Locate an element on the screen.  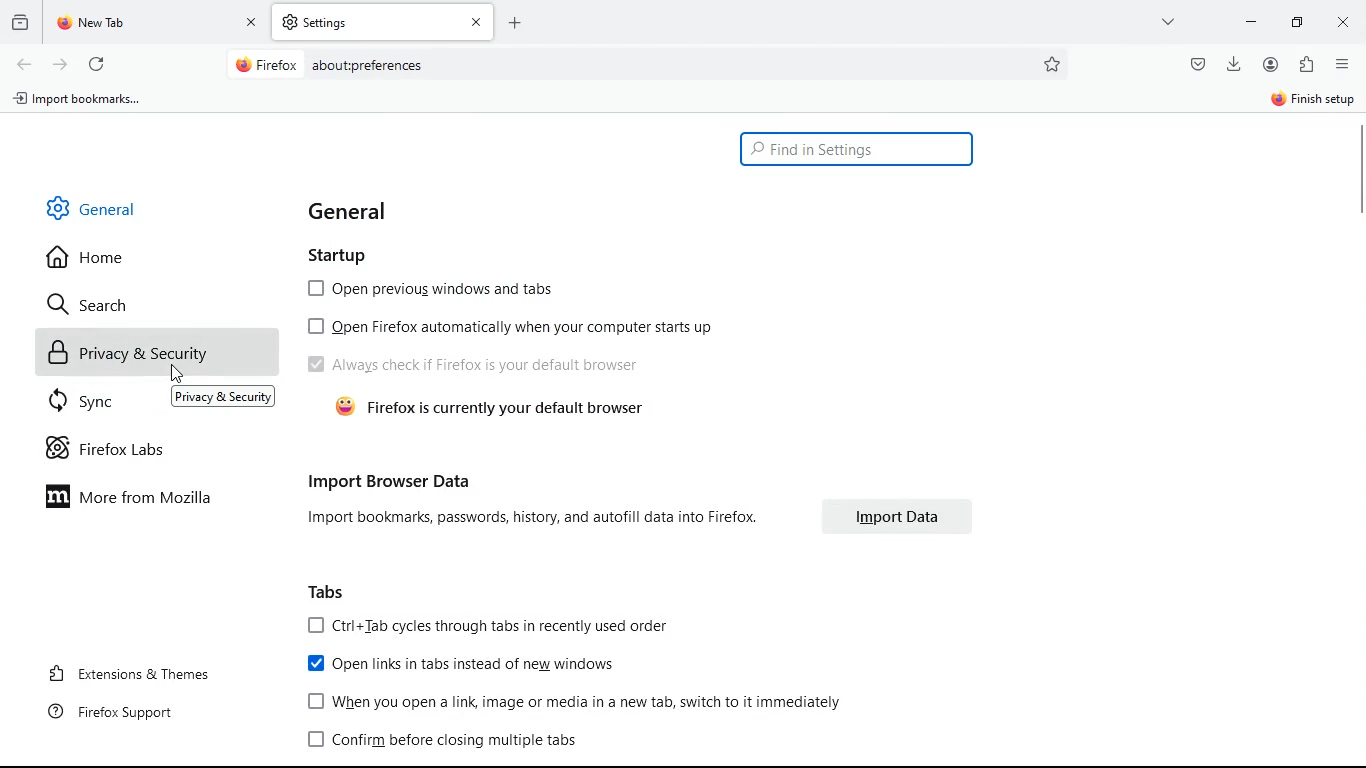
extentions is located at coordinates (1306, 66).